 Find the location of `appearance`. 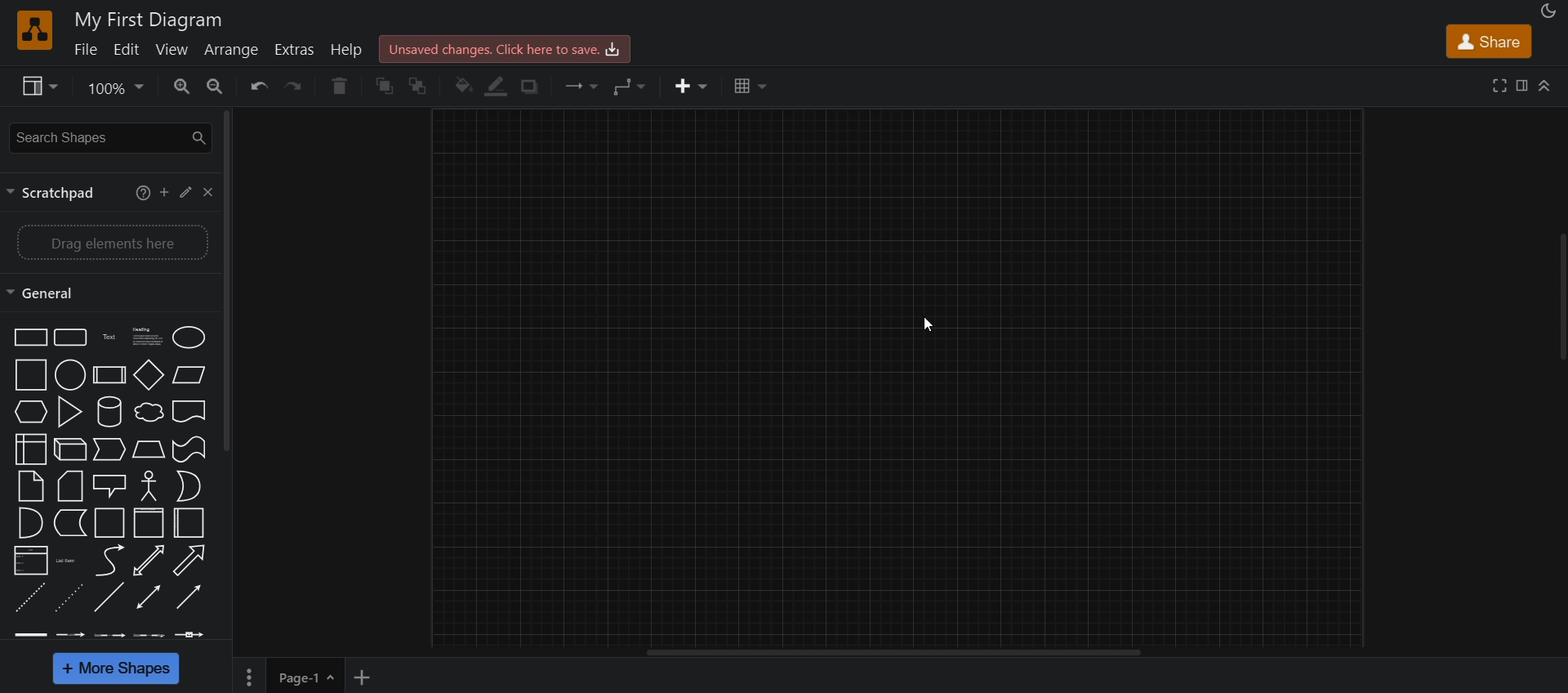

appearance is located at coordinates (1546, 12).